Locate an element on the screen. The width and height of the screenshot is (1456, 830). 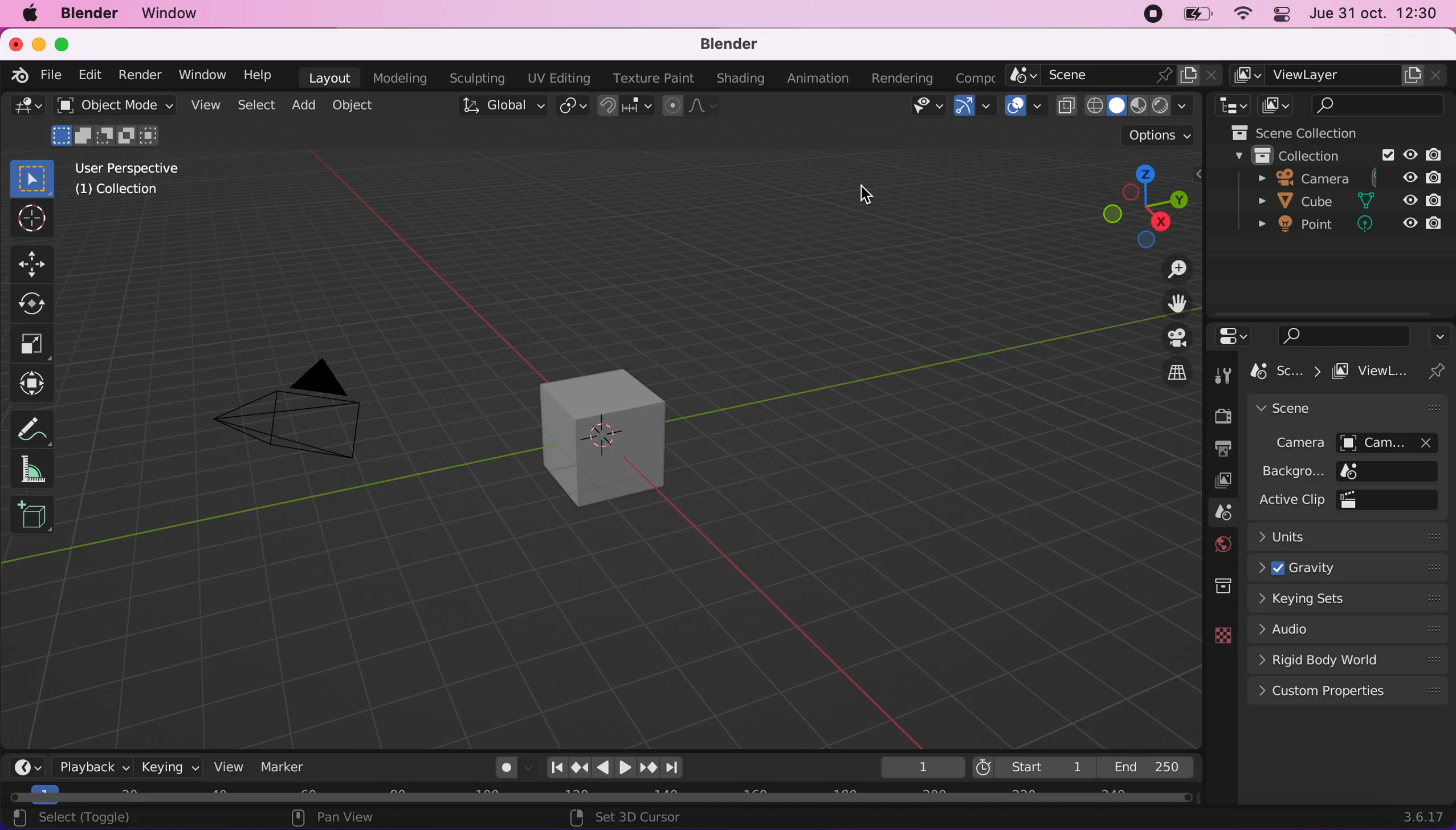
modeling is located at coordinates (401, 77).